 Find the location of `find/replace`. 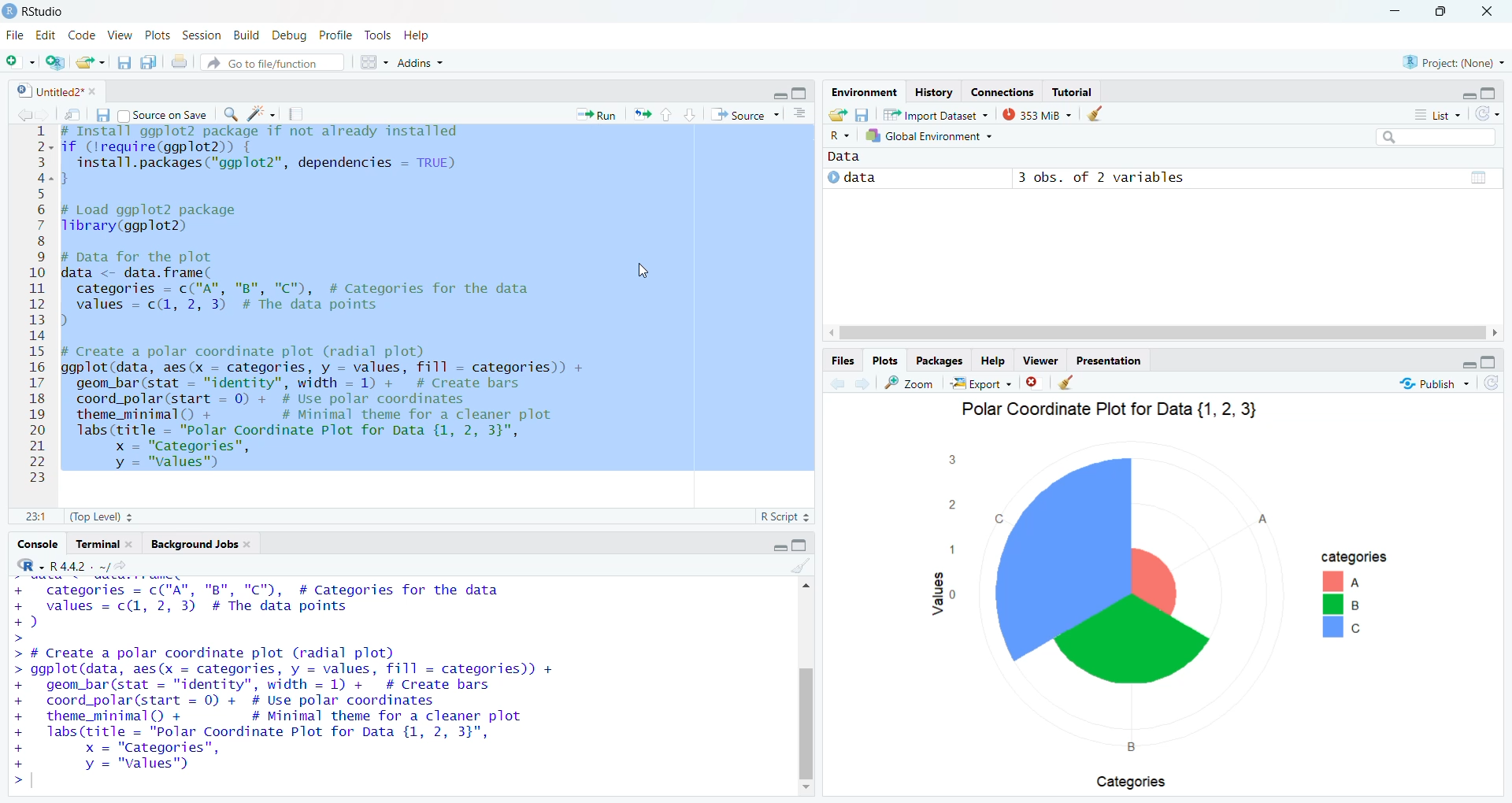

find/replace is located at coordinates (230, 113).